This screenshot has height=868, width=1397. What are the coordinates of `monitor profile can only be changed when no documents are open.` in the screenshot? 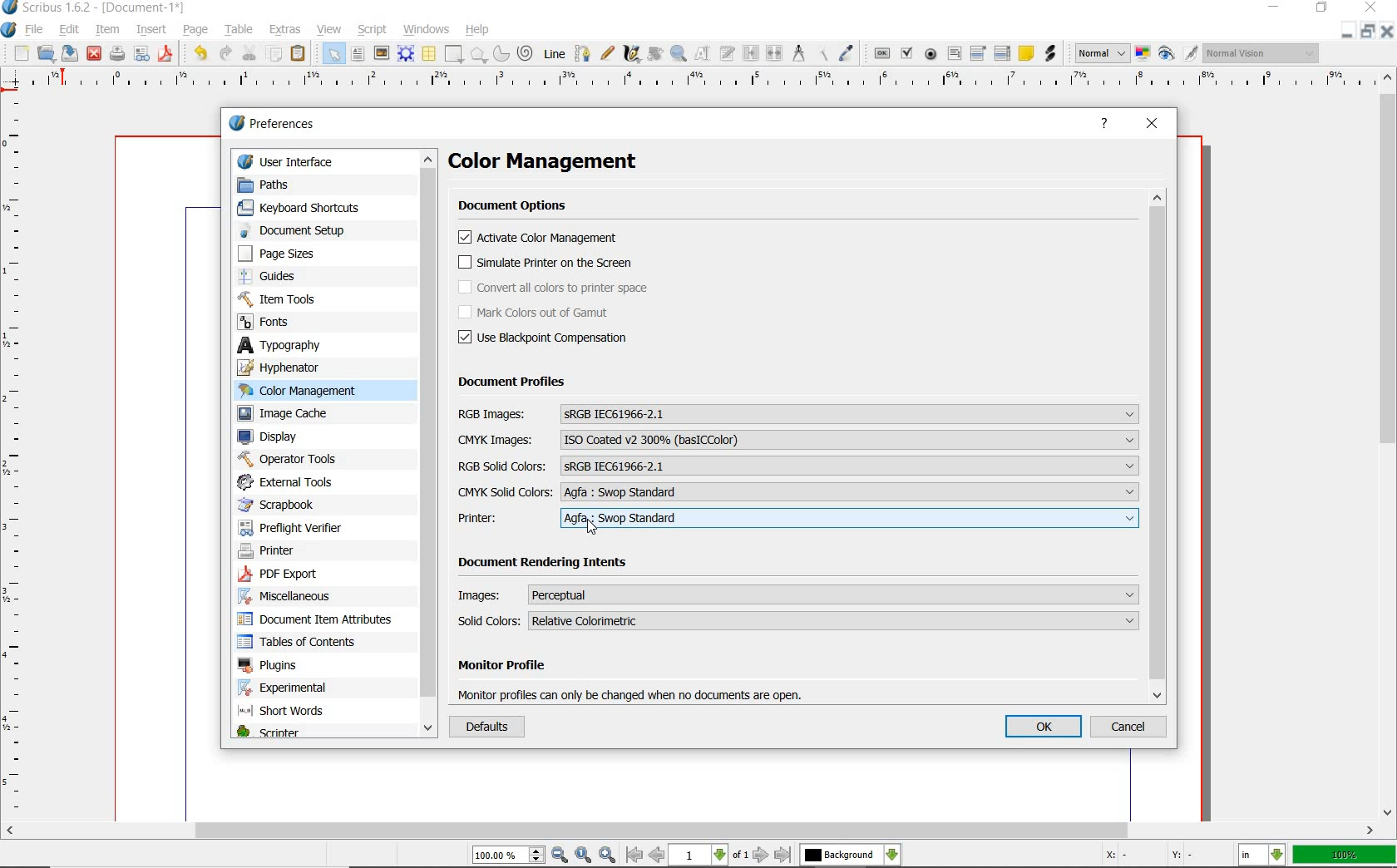 It's located at (634, 693).